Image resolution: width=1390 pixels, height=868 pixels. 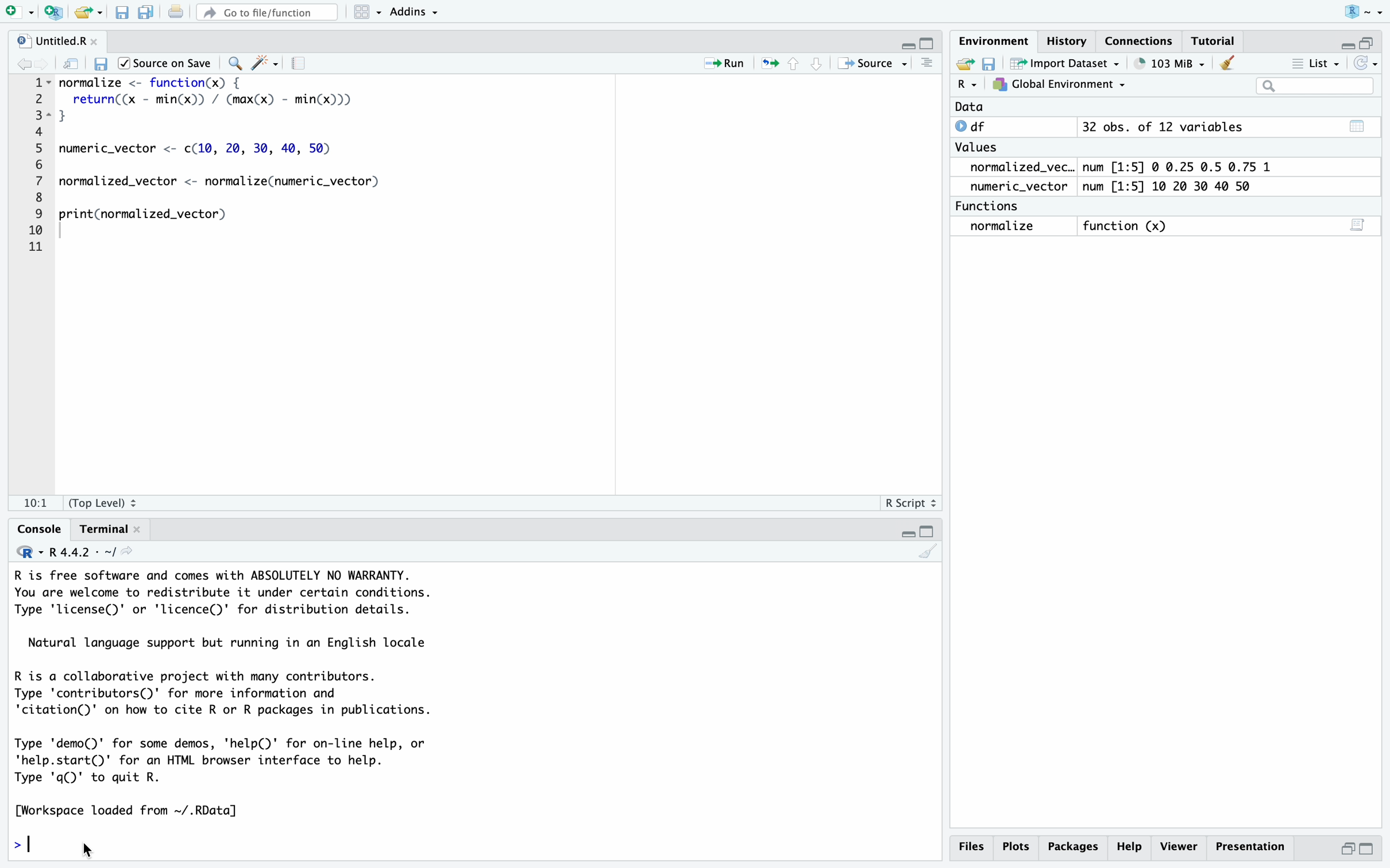 What do you see at coordinates (80, 552) in the screenshot?
I see `R.4.4.2~/` at bounding box center [80, 552].